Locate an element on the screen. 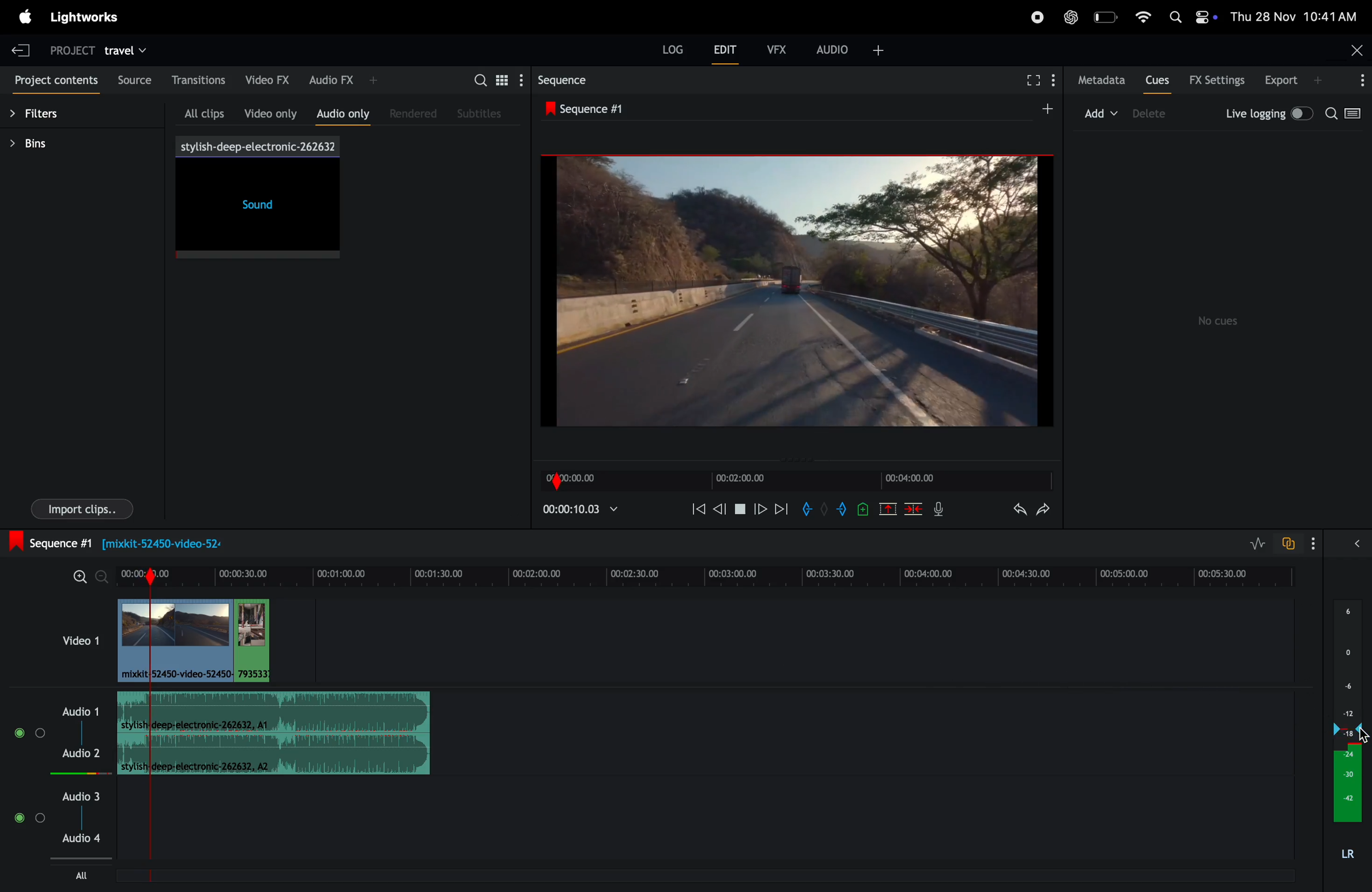 This screenshot has width=1372, height=892. Solo track is located at coordinates (40, 821).